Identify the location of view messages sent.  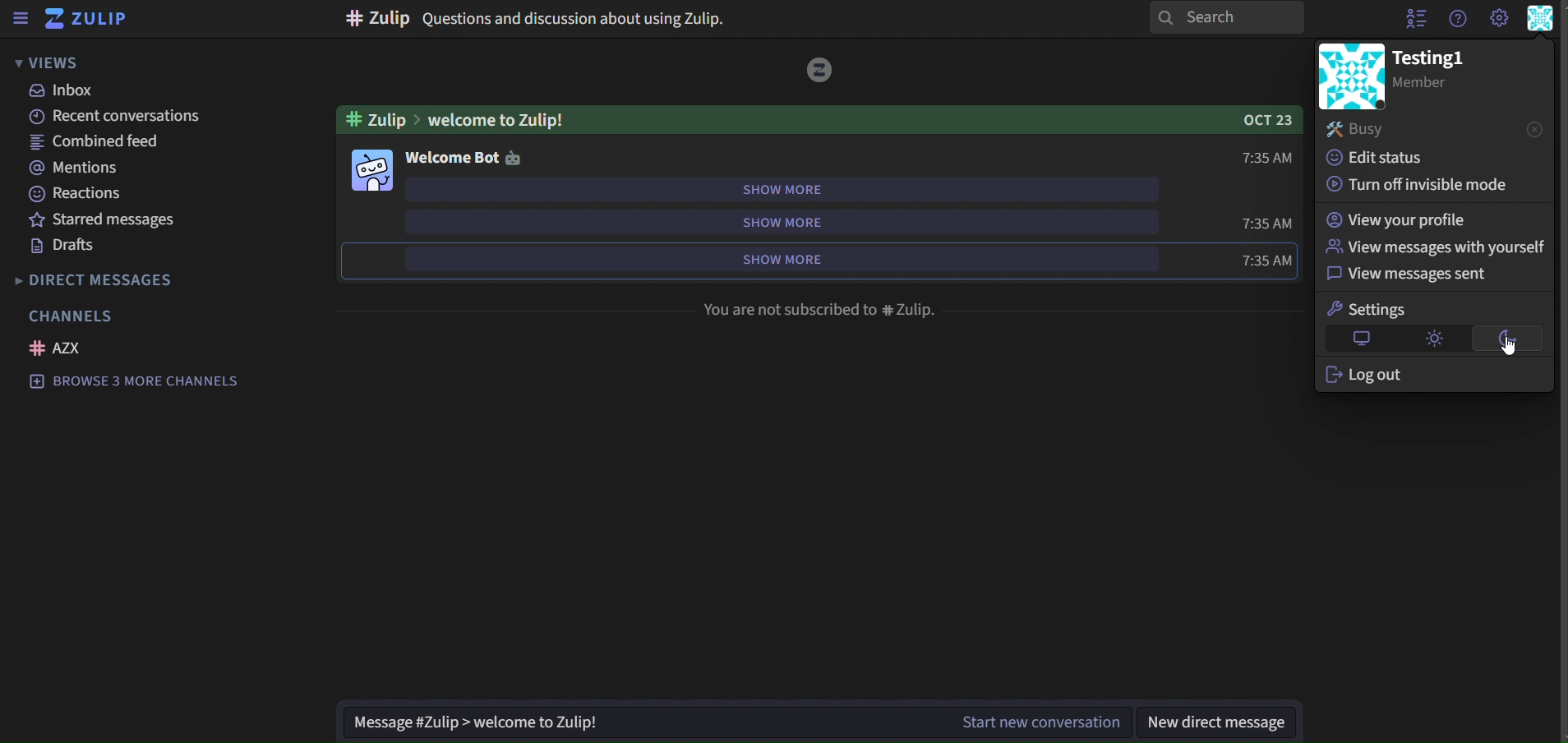
(1416, 274).